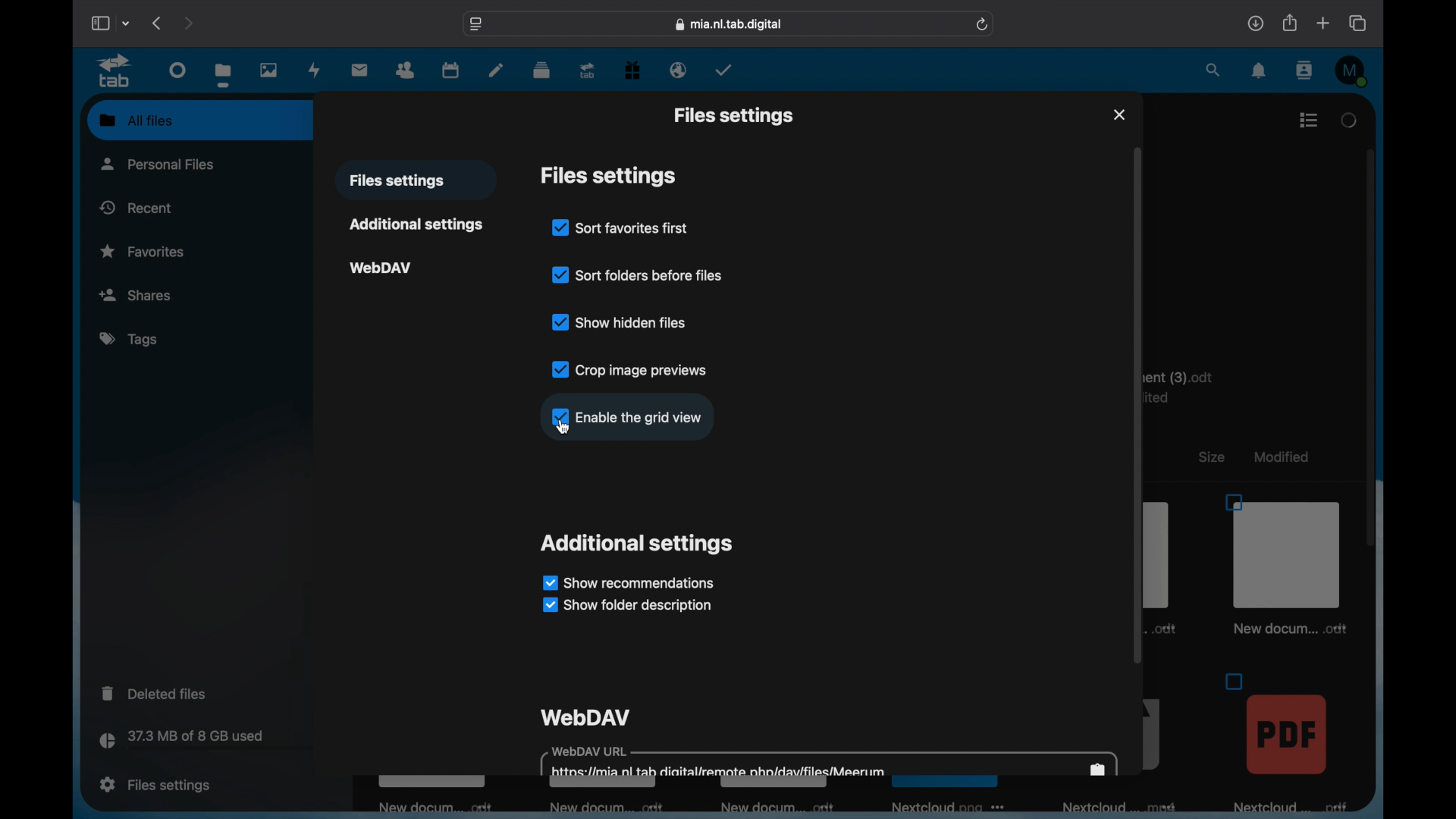 Image resolution: width=1456 pixels, height=819 pixels. What do you see at coordinates (158, 23) in the screenshot?
I see `previous` at bounding box center [158, 23].